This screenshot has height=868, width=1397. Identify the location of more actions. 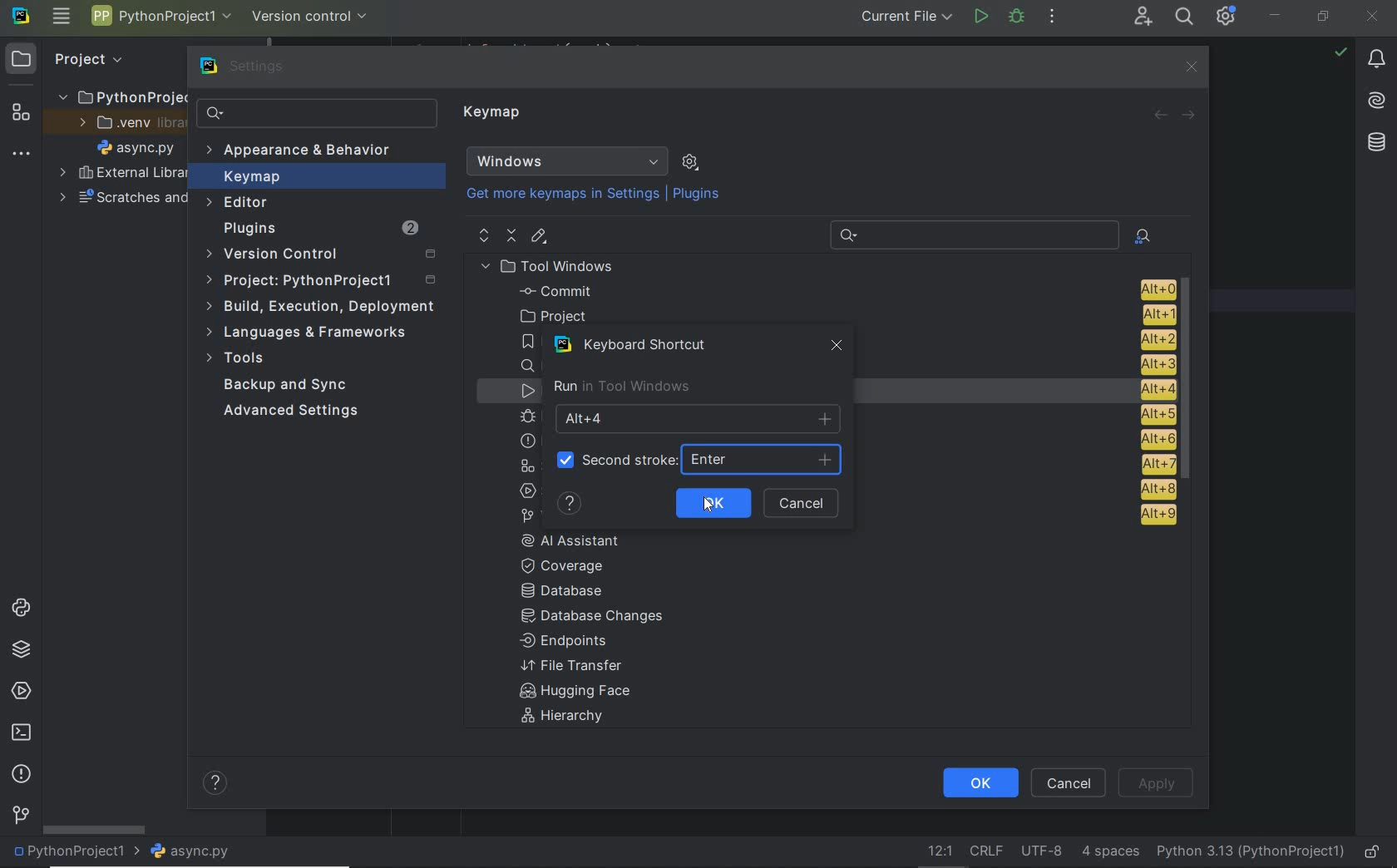
(1052, 17).